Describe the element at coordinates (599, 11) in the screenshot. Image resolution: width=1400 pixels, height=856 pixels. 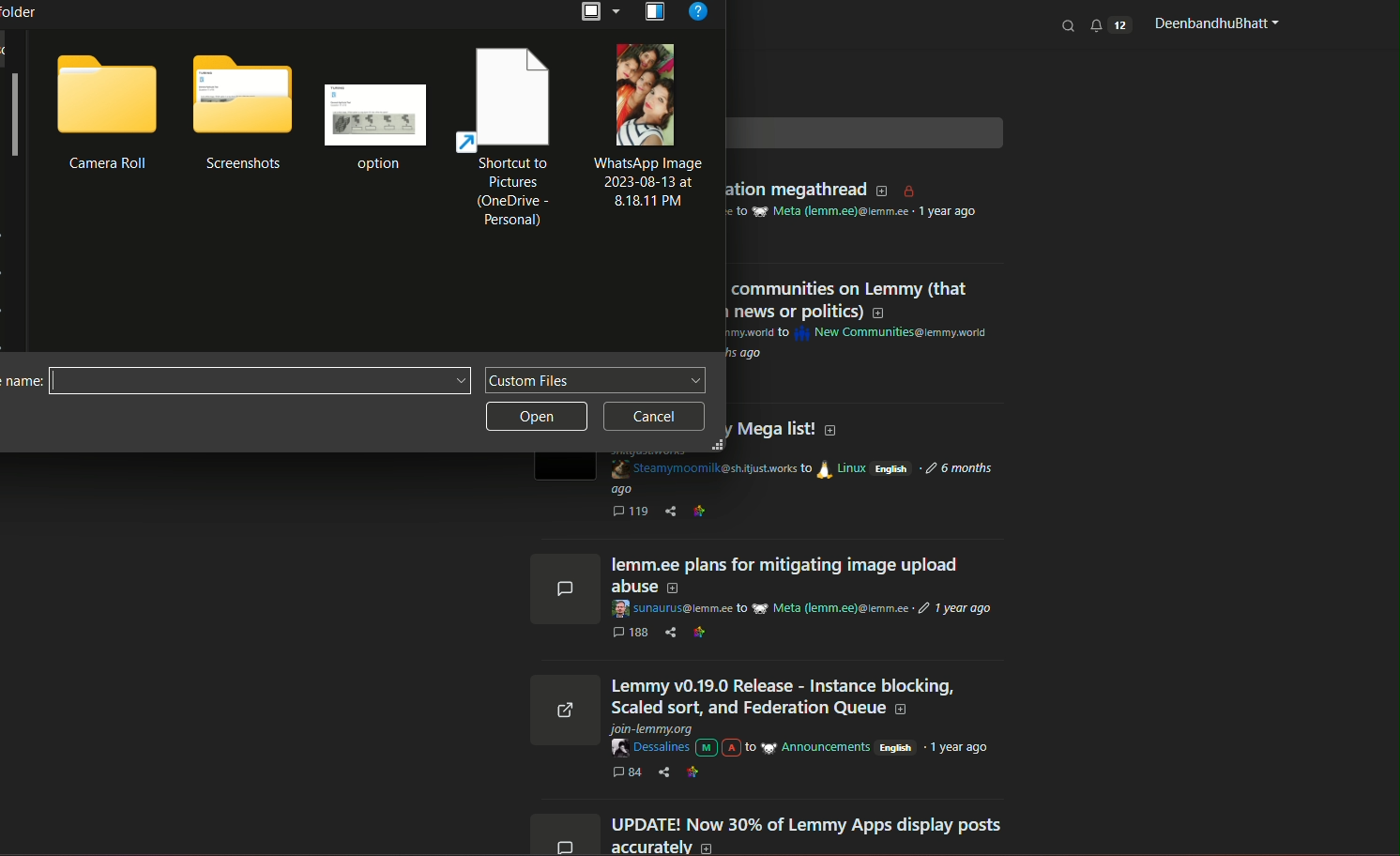
I see `dropdown` at that location.